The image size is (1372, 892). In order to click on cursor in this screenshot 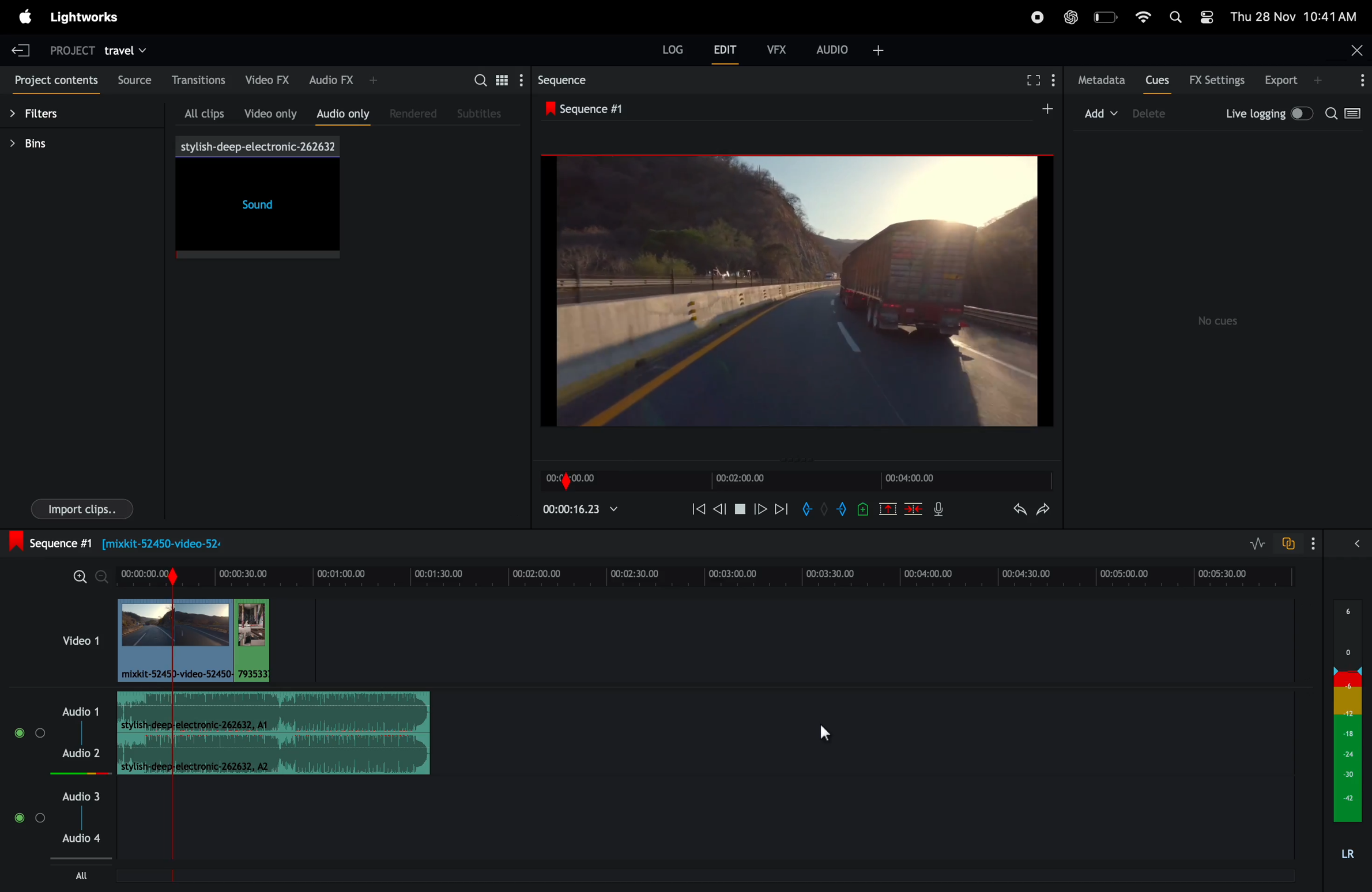, I will do `click(828, 730)`.